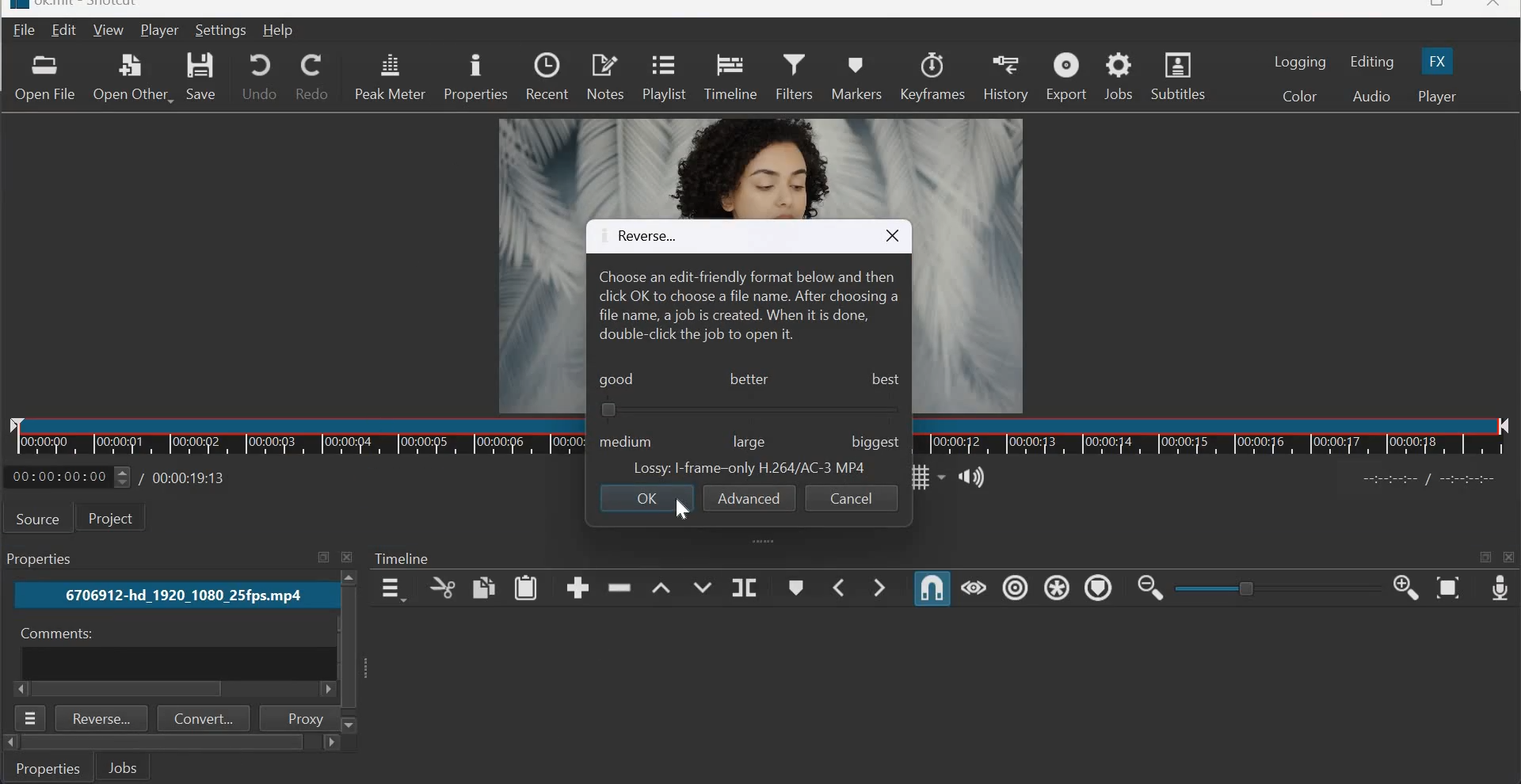 This screenshot has height=784, width=1521. I want to click on Playlist, so click(662, 79).